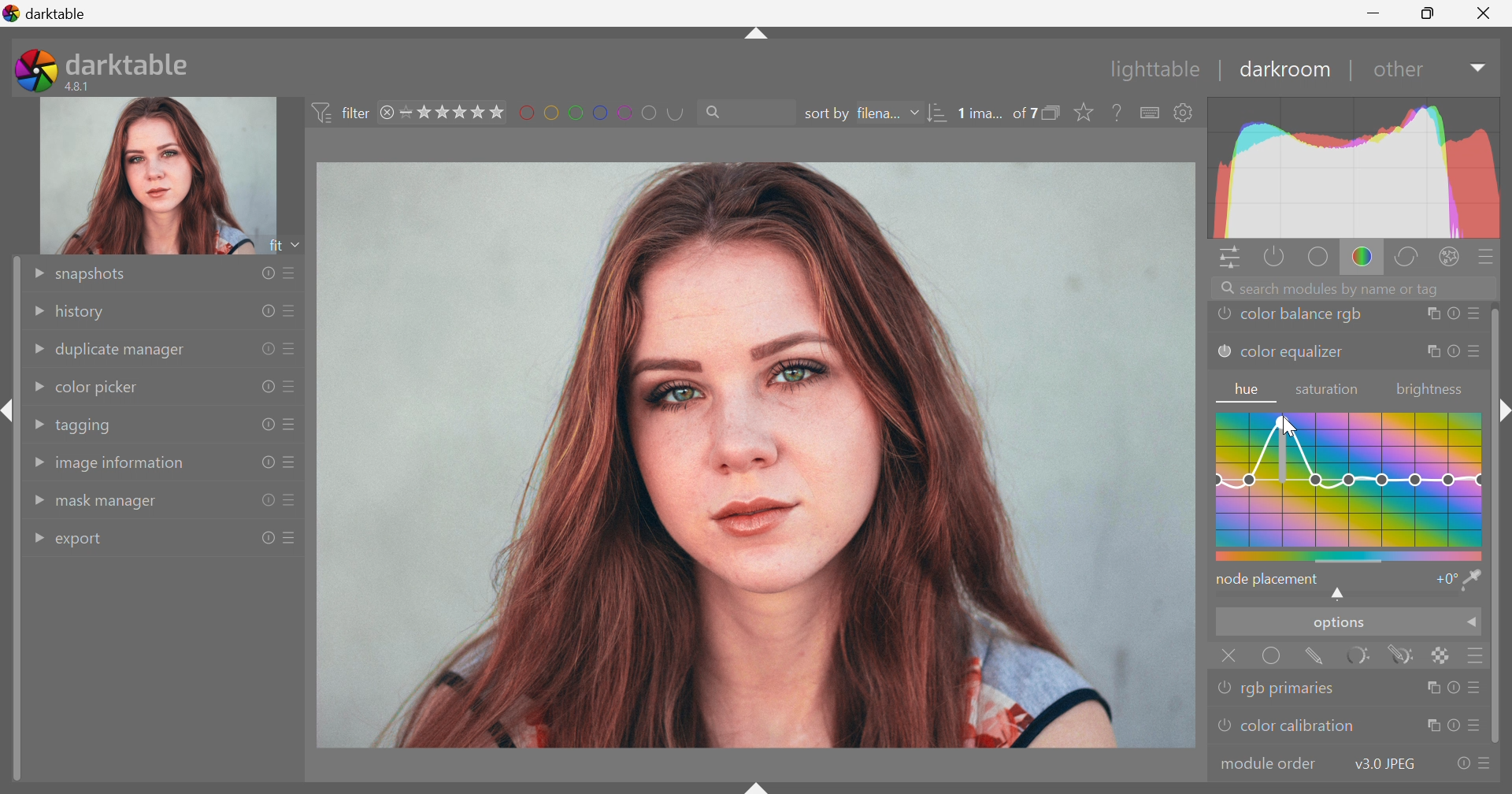 Image resolution: width=1512 pixels, height=794 pixels. What do you see at coordinates (266, 423) in the screenshot?
I see `reset` at bounding box center [266, 423].